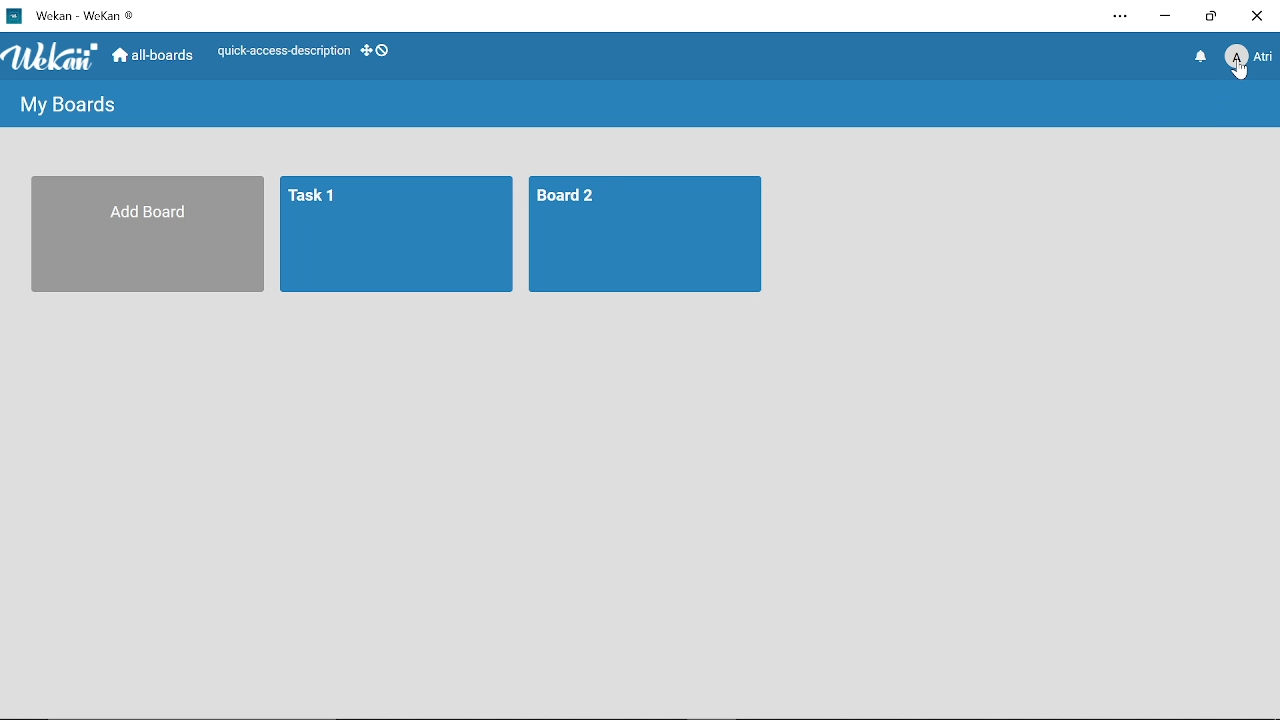 The image size is (1280, 720). I want to click on Notifiacations, so click(1202, 61).